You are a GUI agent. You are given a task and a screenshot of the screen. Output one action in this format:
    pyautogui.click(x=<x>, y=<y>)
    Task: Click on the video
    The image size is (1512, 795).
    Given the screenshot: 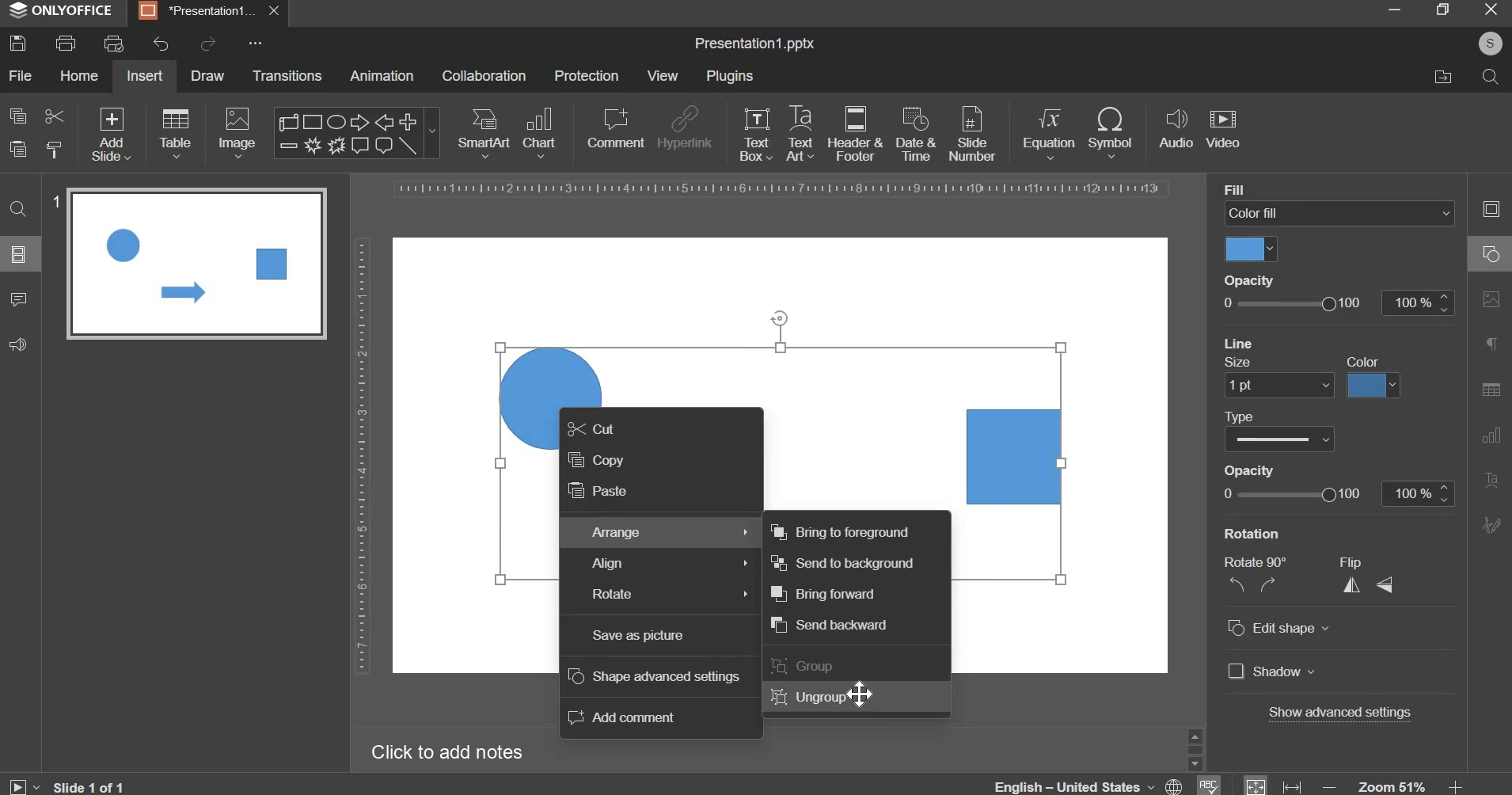 What is the action you would take?
    pyautogui.click(x=1223, y=130)
    